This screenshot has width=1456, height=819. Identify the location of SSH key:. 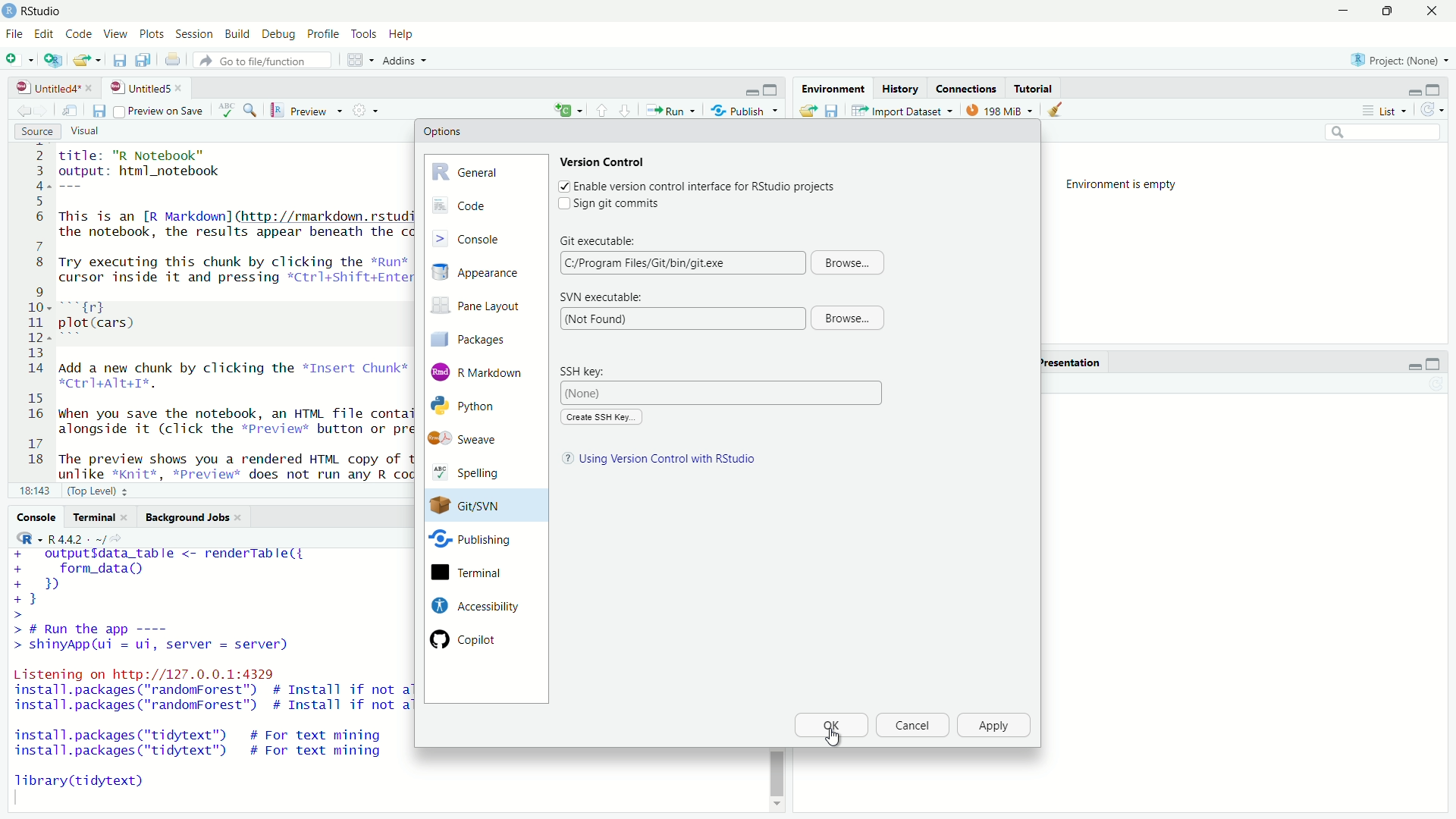
(589, 371).